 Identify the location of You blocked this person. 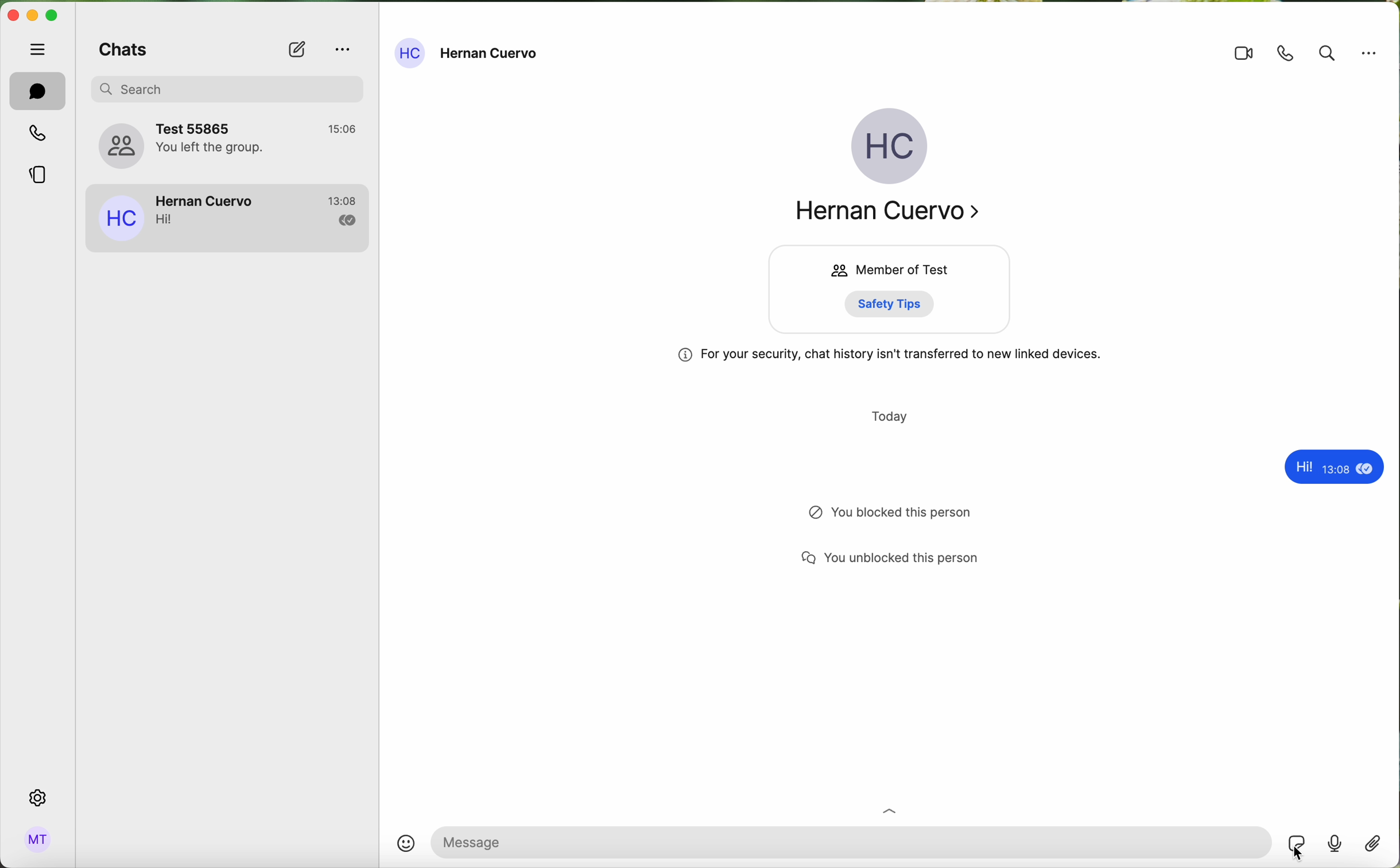
(905, 556).